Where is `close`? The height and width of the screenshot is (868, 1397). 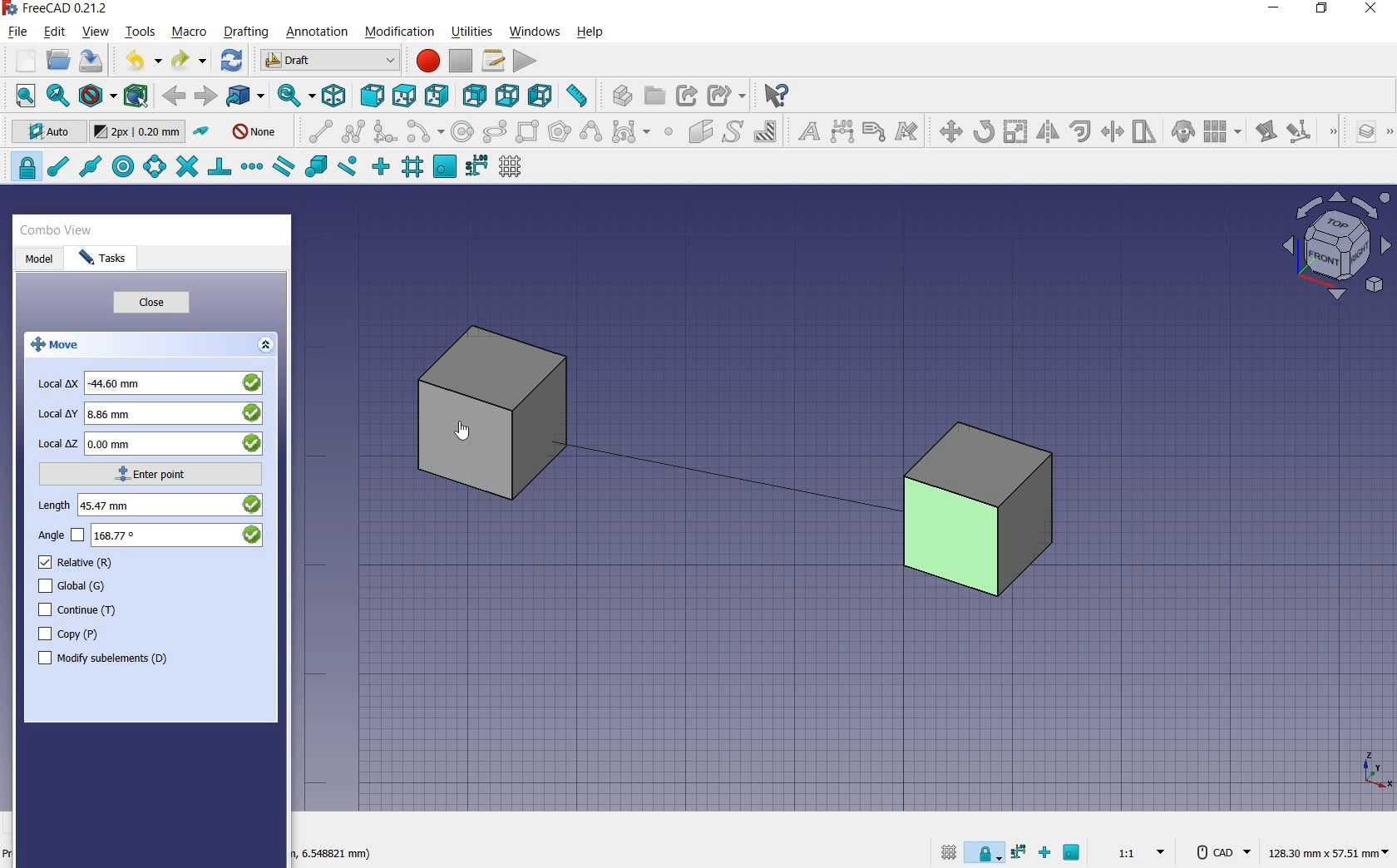 close is located at coordinates (152, 303).